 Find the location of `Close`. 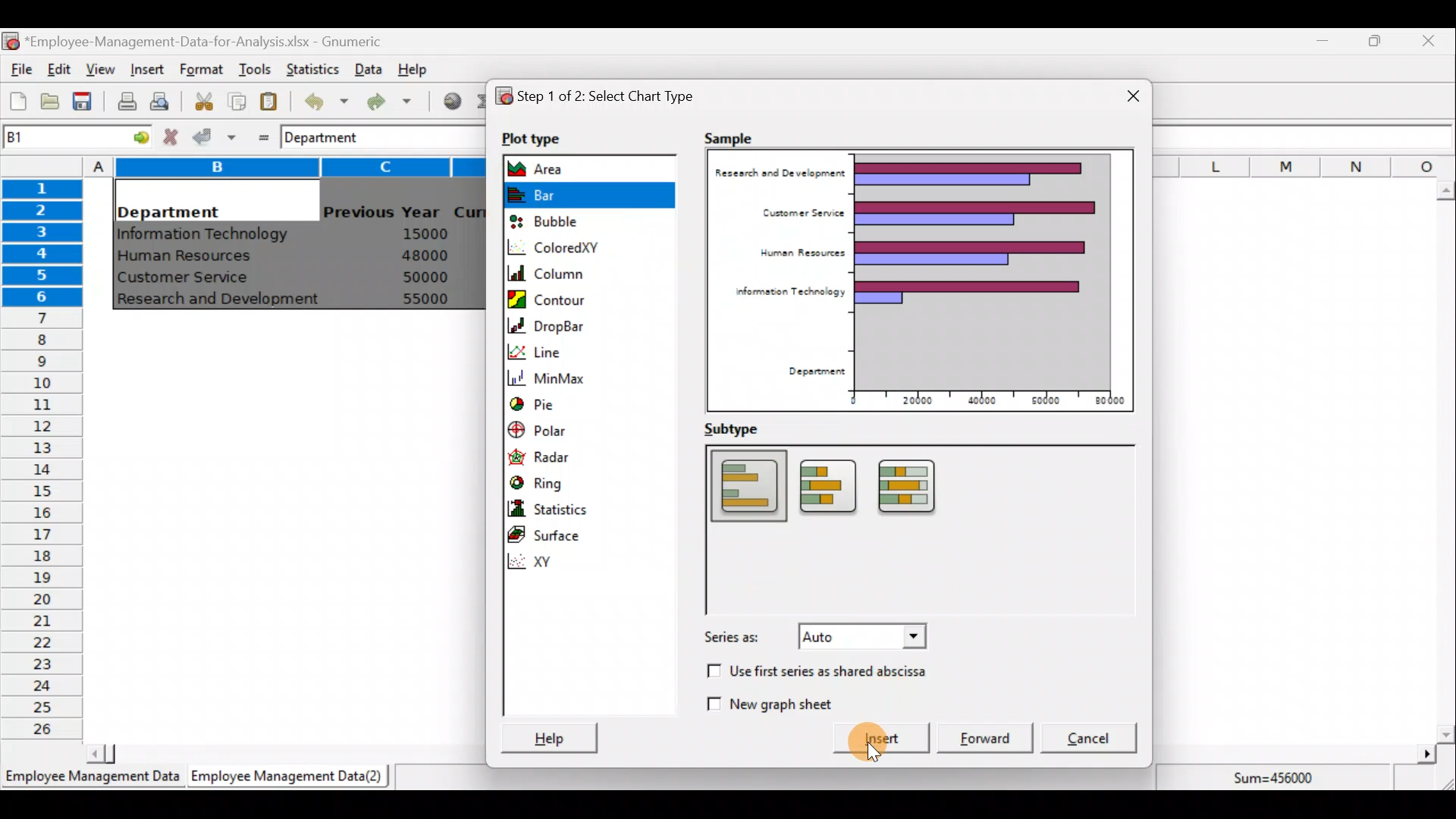

Close is located at coordinates (1125, 99).